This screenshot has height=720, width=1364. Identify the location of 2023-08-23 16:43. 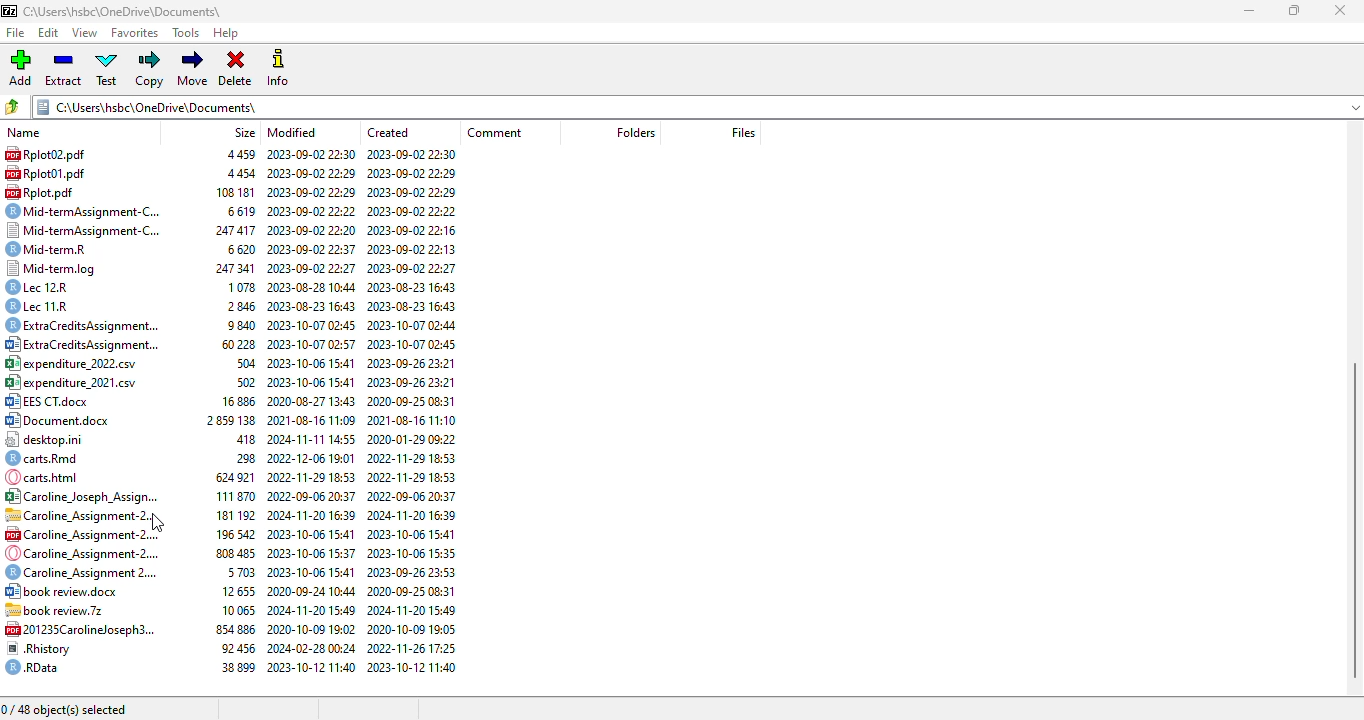
(416, 306).